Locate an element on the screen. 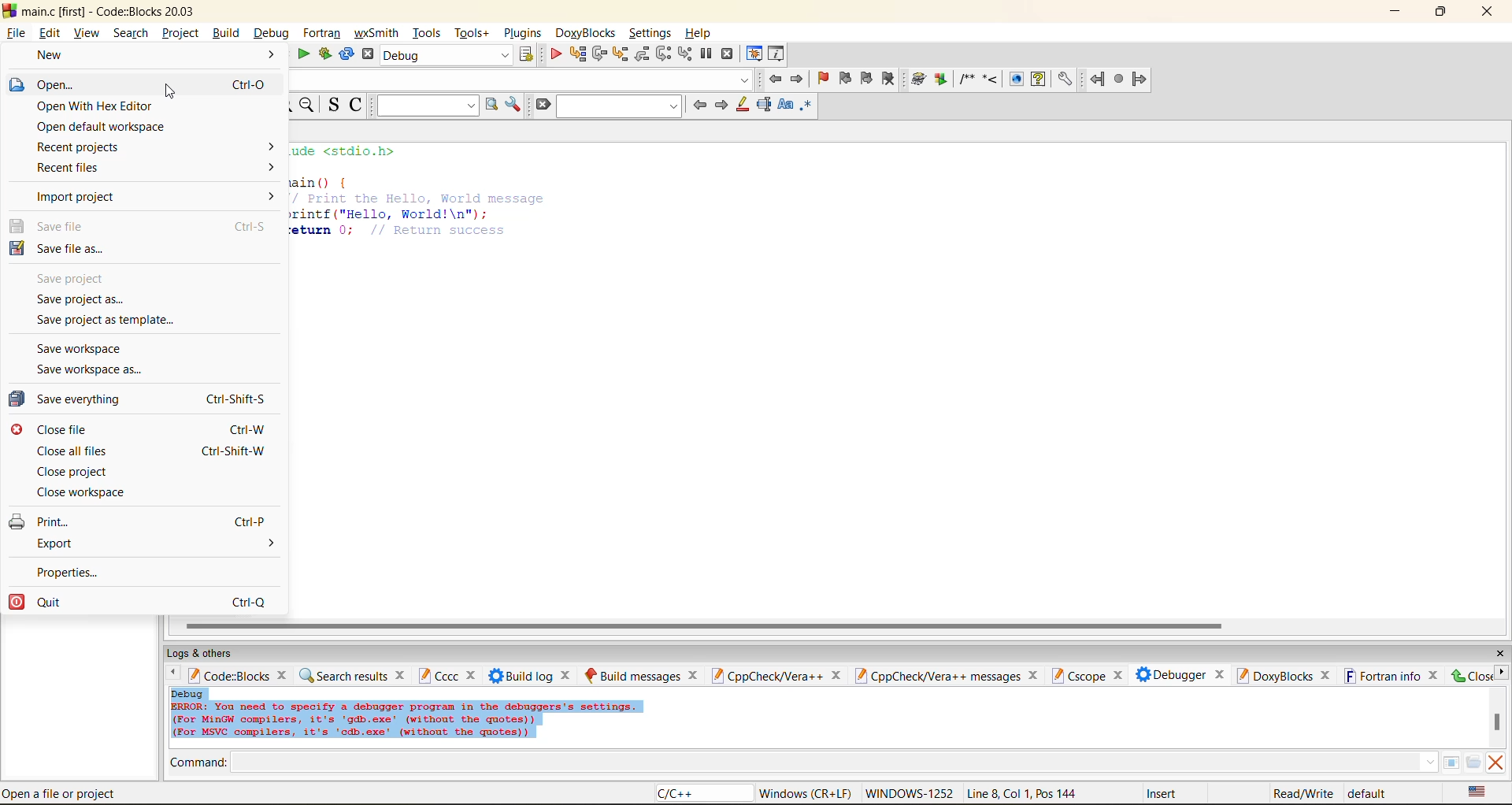  save with name icon is located at coordinates (17, 247).